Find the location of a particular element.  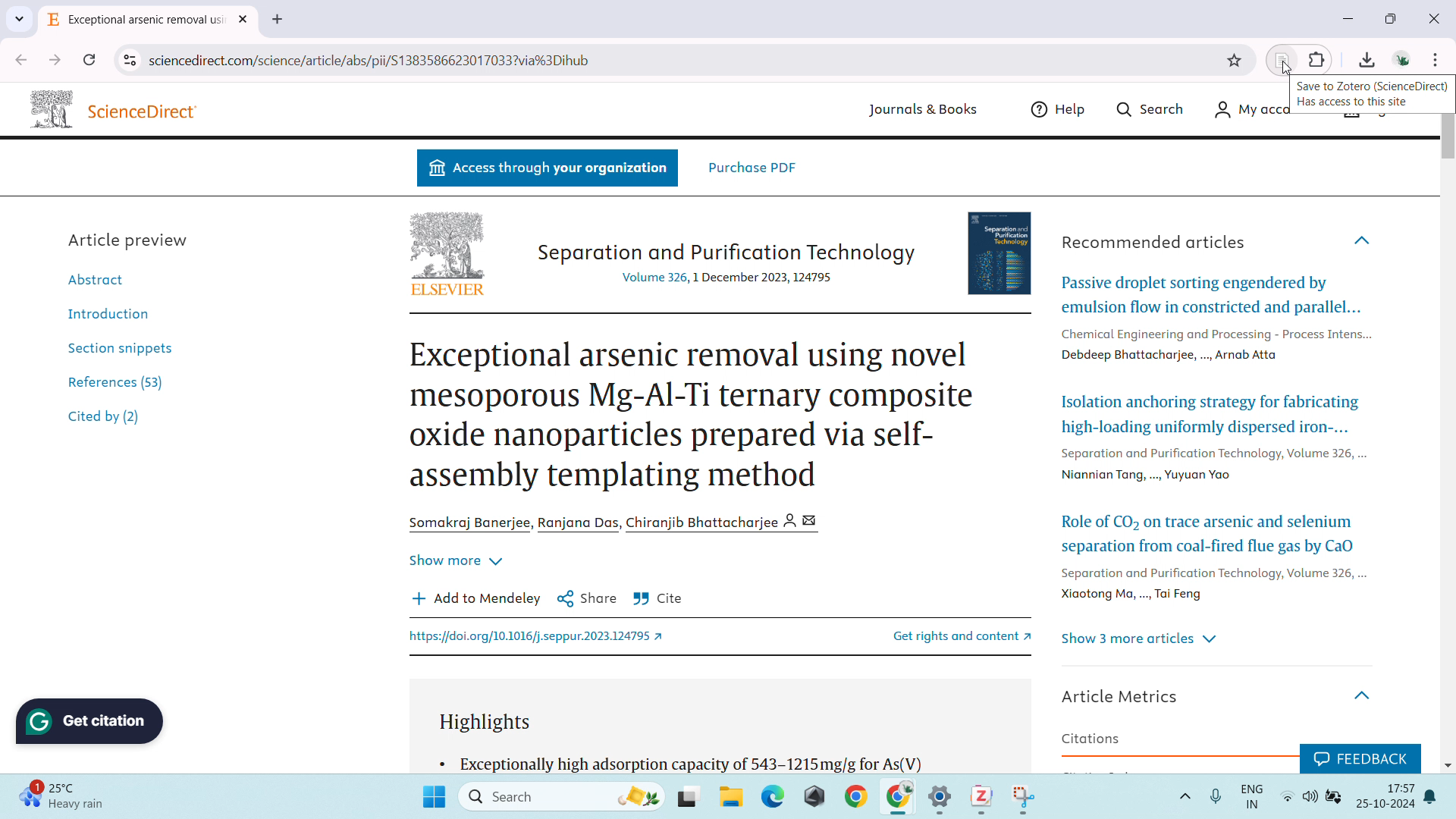

Access through your organization is located at coordinates (547, 169).